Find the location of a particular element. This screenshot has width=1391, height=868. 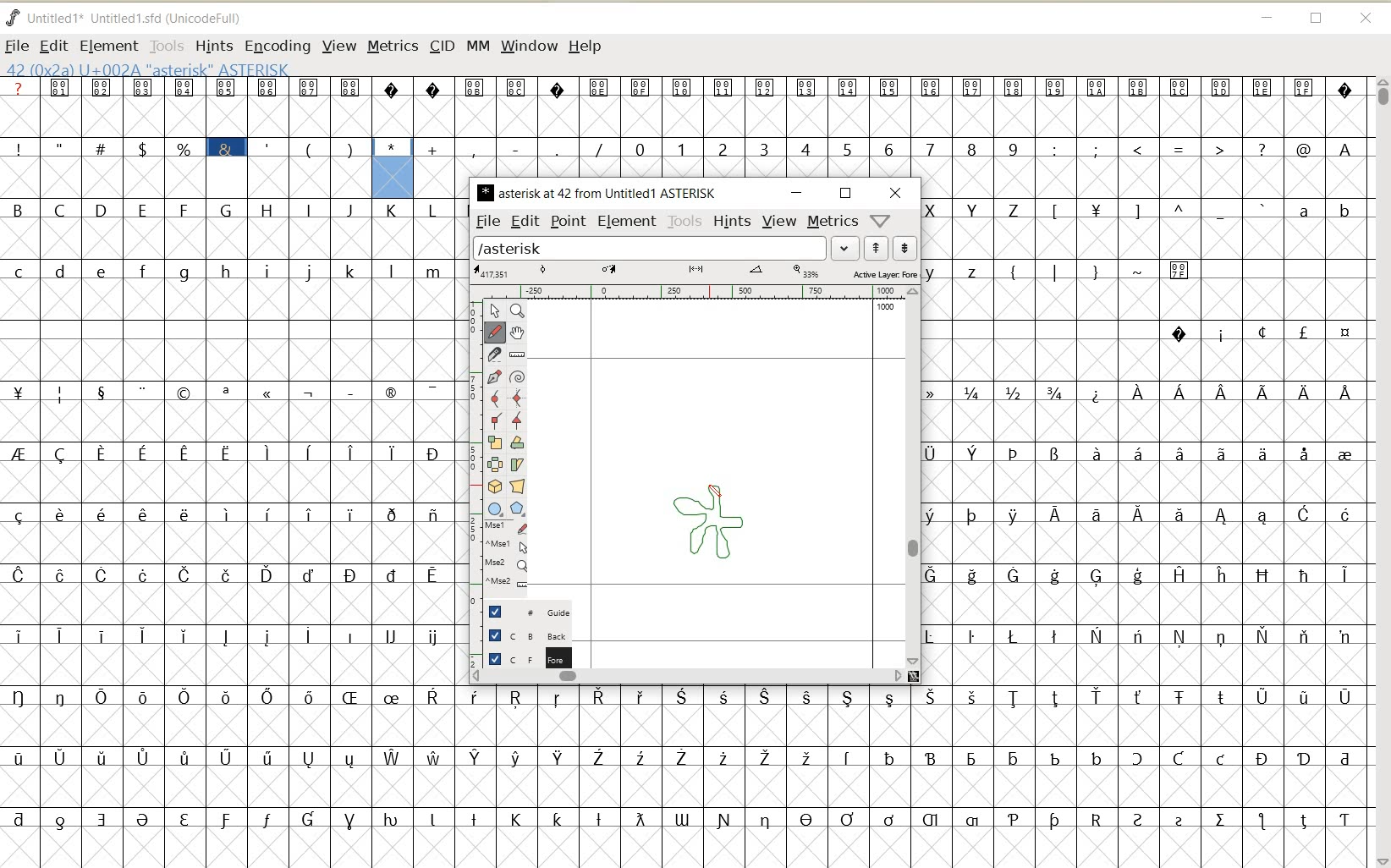

CLOSE is located at coordinates (1365, 18).